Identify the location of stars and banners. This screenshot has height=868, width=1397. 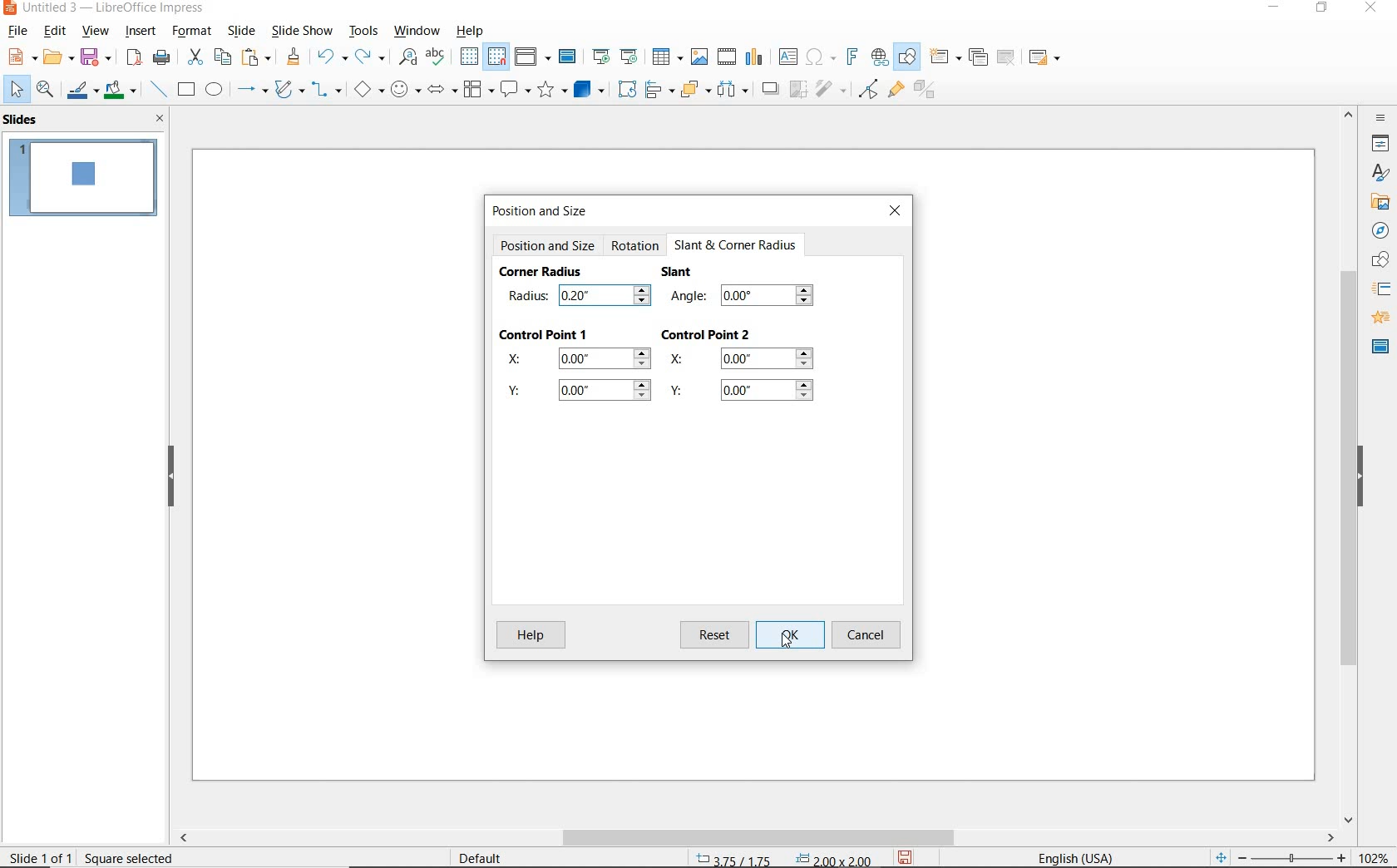
(550, 91).